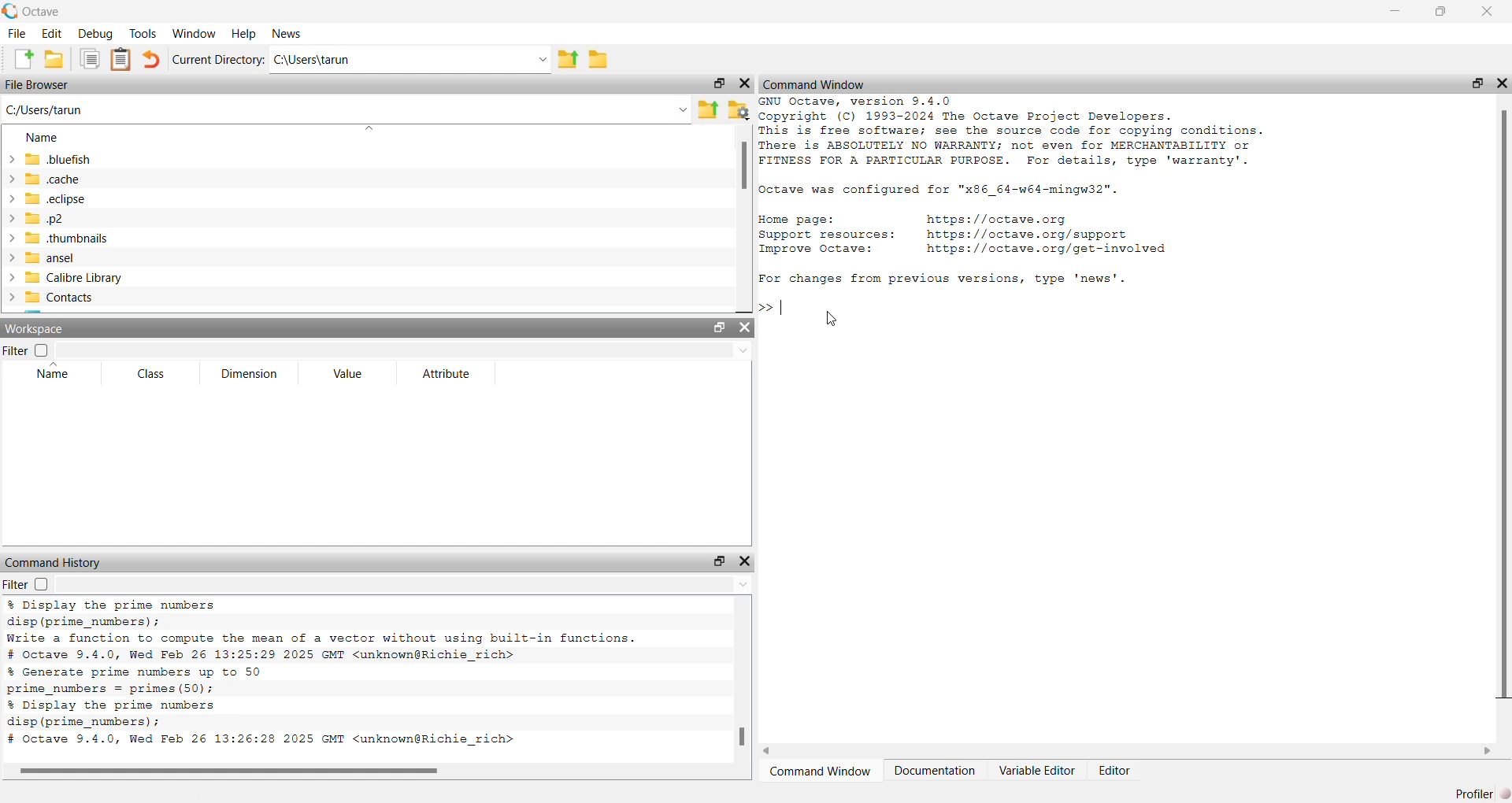 This screenshot has height=803, width=1512. What do you see at coordinates (145, 34) in the screenshot?
I see `Tools` at bounding box center [145, 34].